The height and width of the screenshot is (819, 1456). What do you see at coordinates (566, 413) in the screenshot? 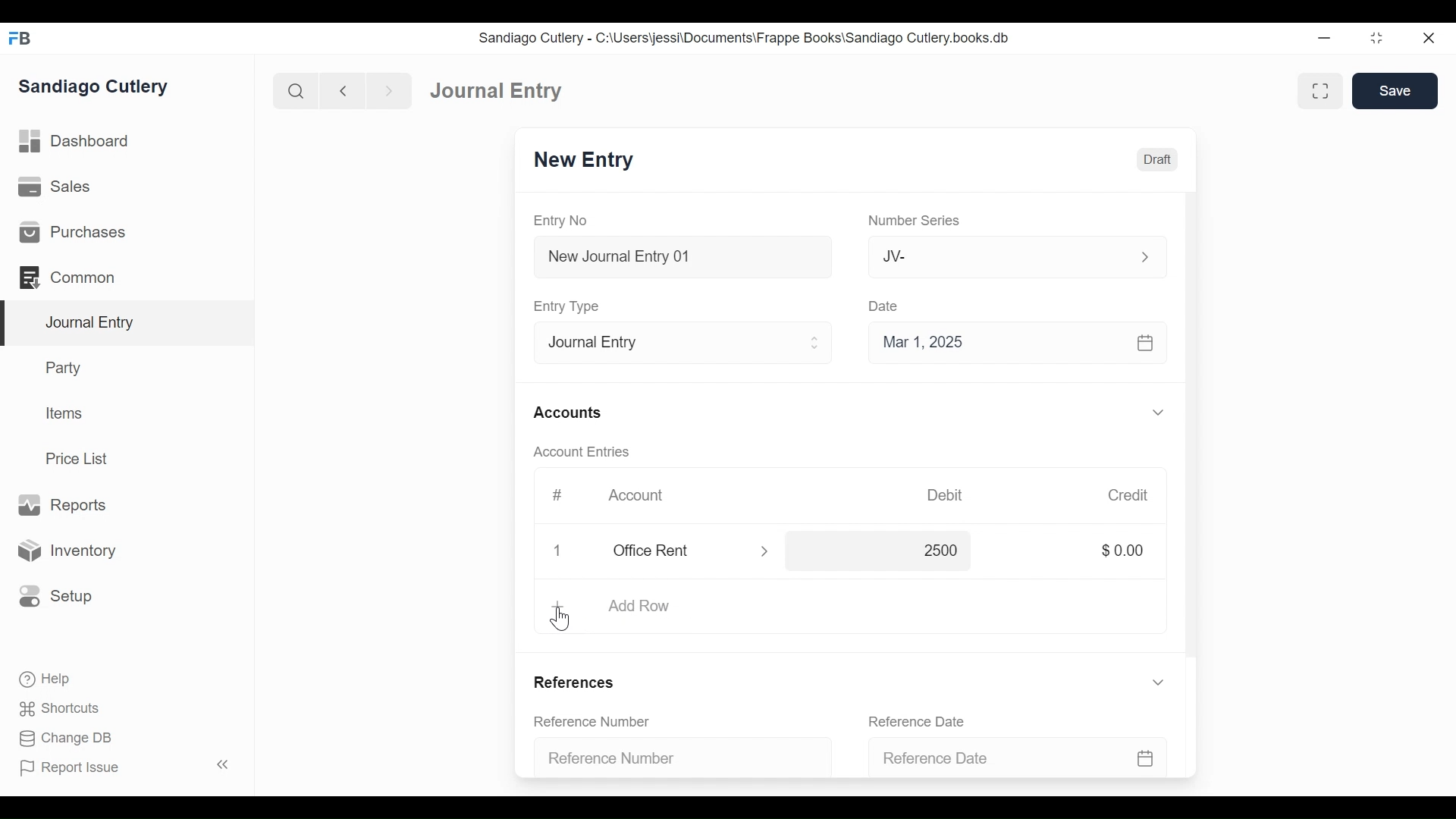
I see `Accounts` at bounding box center [566, 413].